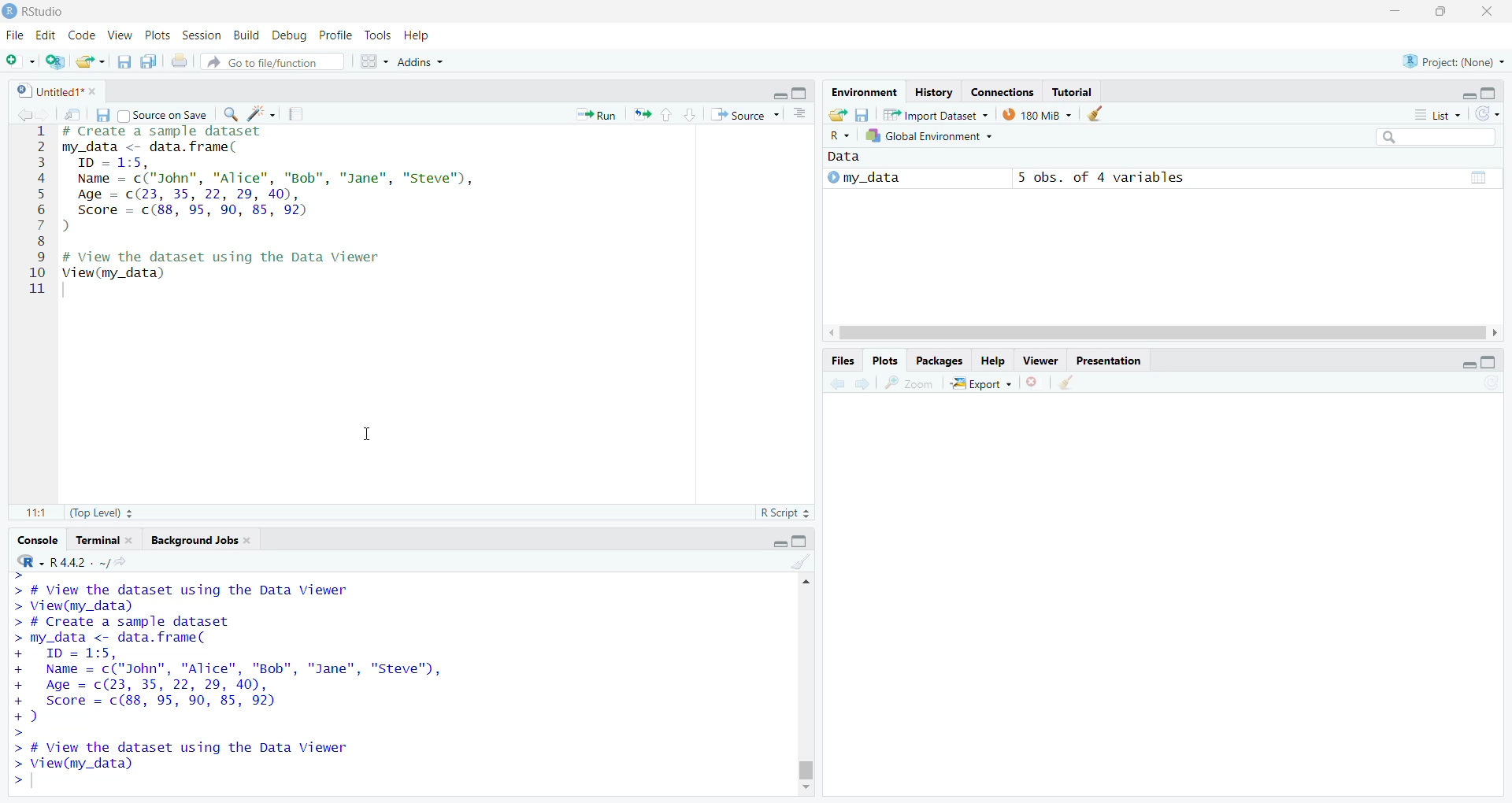  What do you see at coordinates (93, 62) in the screenshot?
I see `Open an existing file` at bounding box center [93, 62].